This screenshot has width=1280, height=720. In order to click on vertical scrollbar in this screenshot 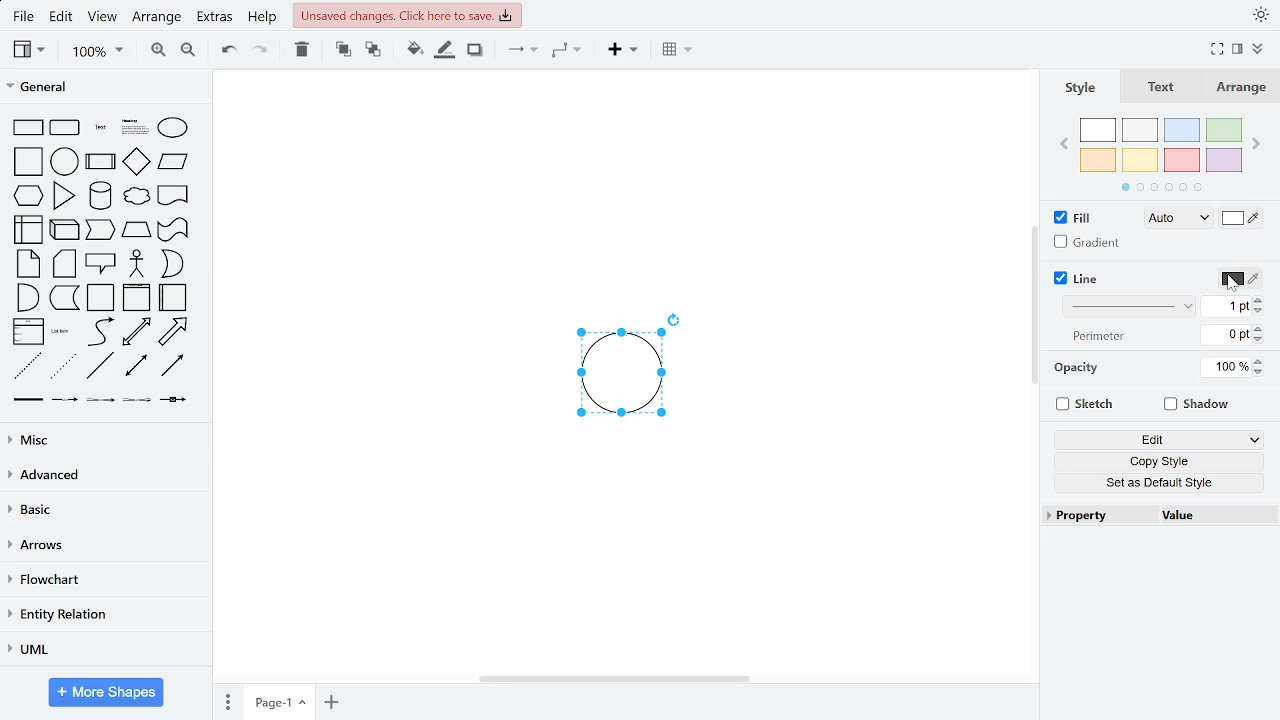, I will do `click(1034, 308)`.